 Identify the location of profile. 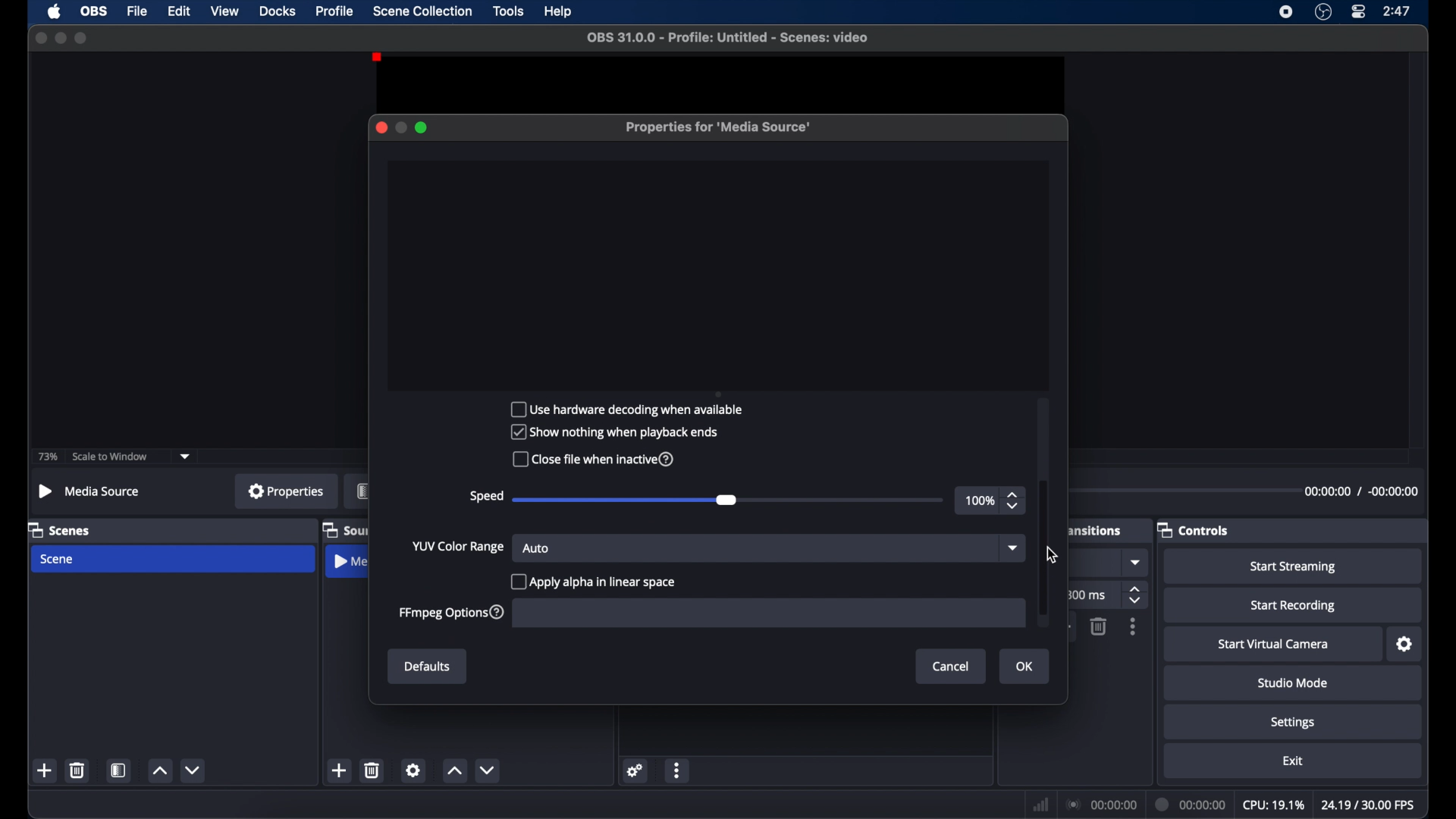
(335, 11).